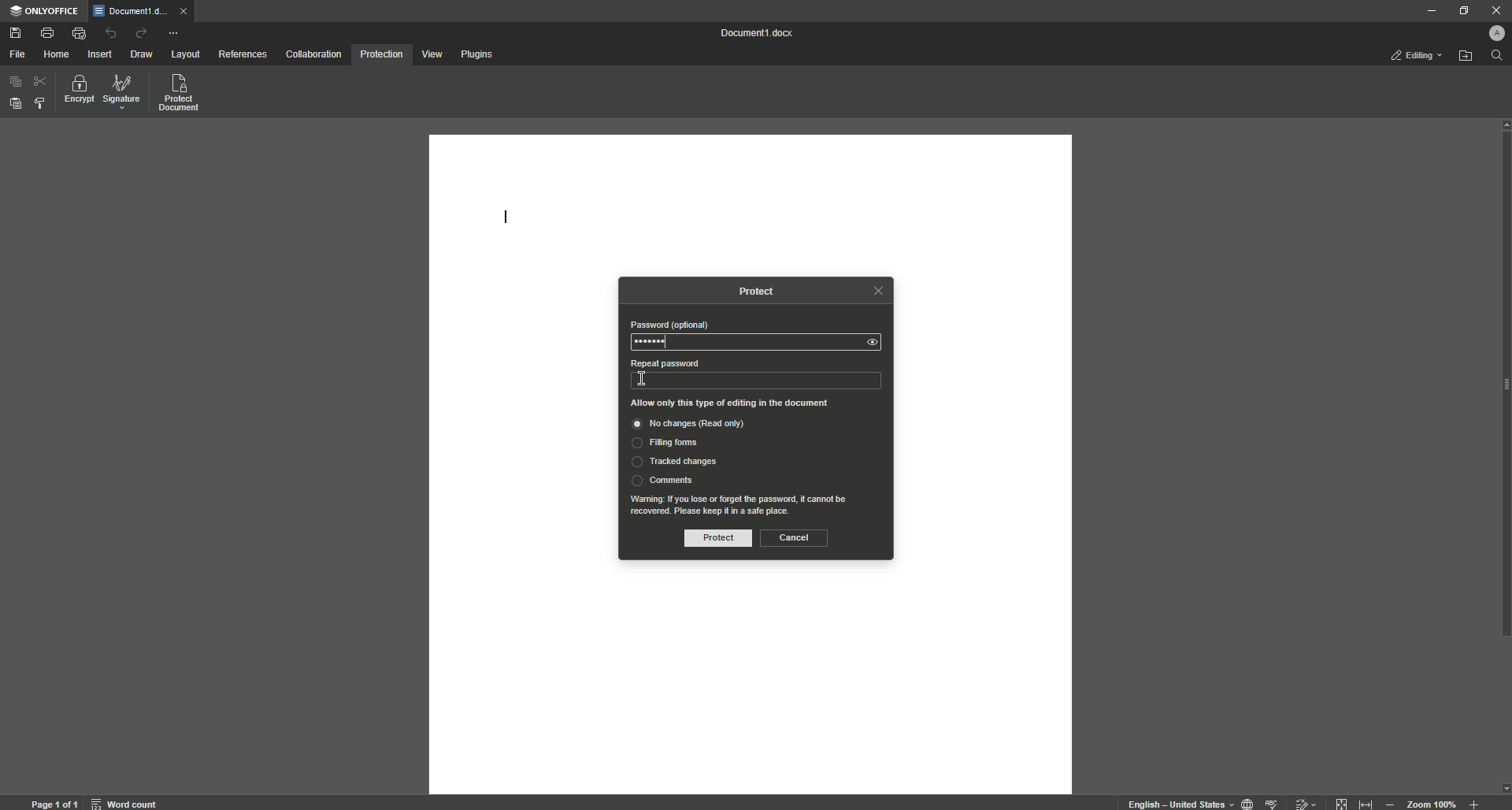 This screenshot has width=1512, height=810. What do you see at coordinates (713, 539) in the screenshot?
I see `Protect` at bounding box center [713, 539].